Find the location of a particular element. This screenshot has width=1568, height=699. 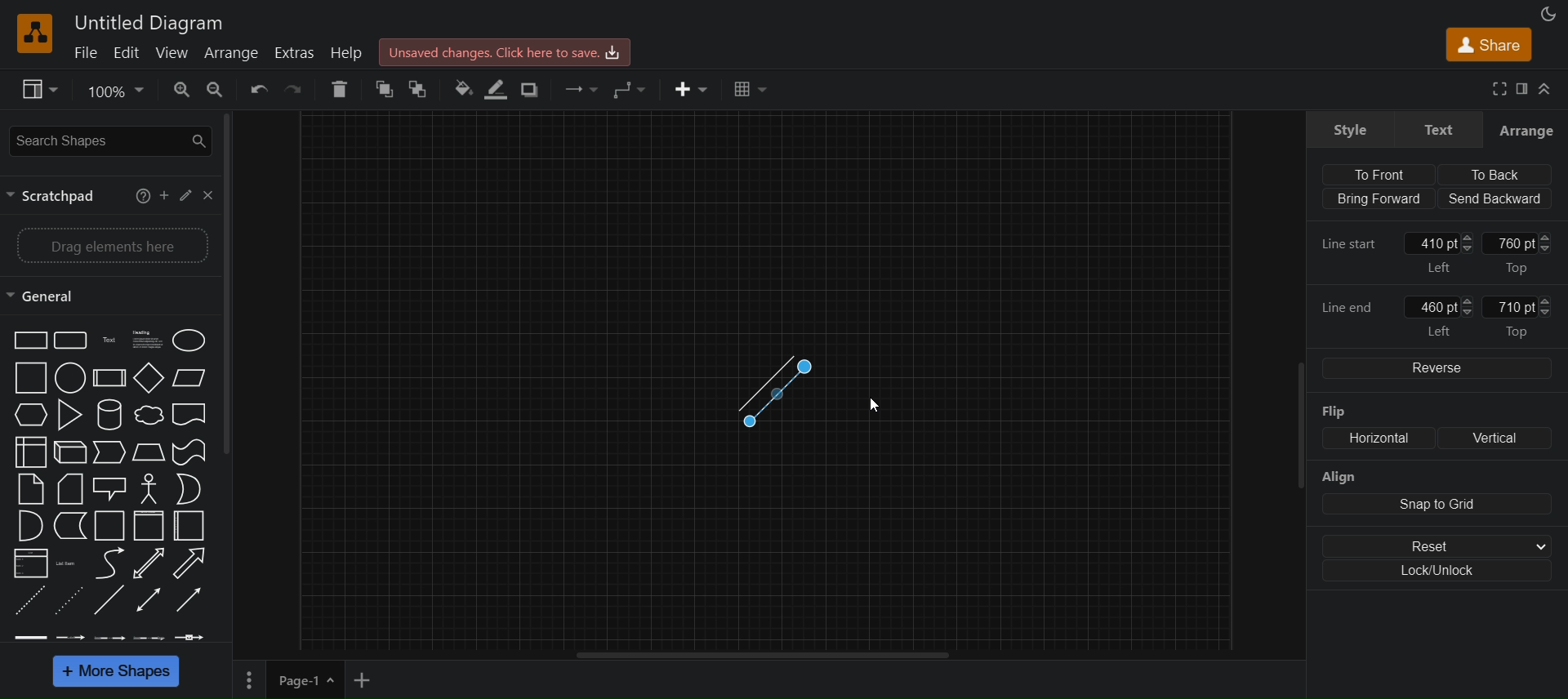

Rectangle is located at coordinates (28, 340).